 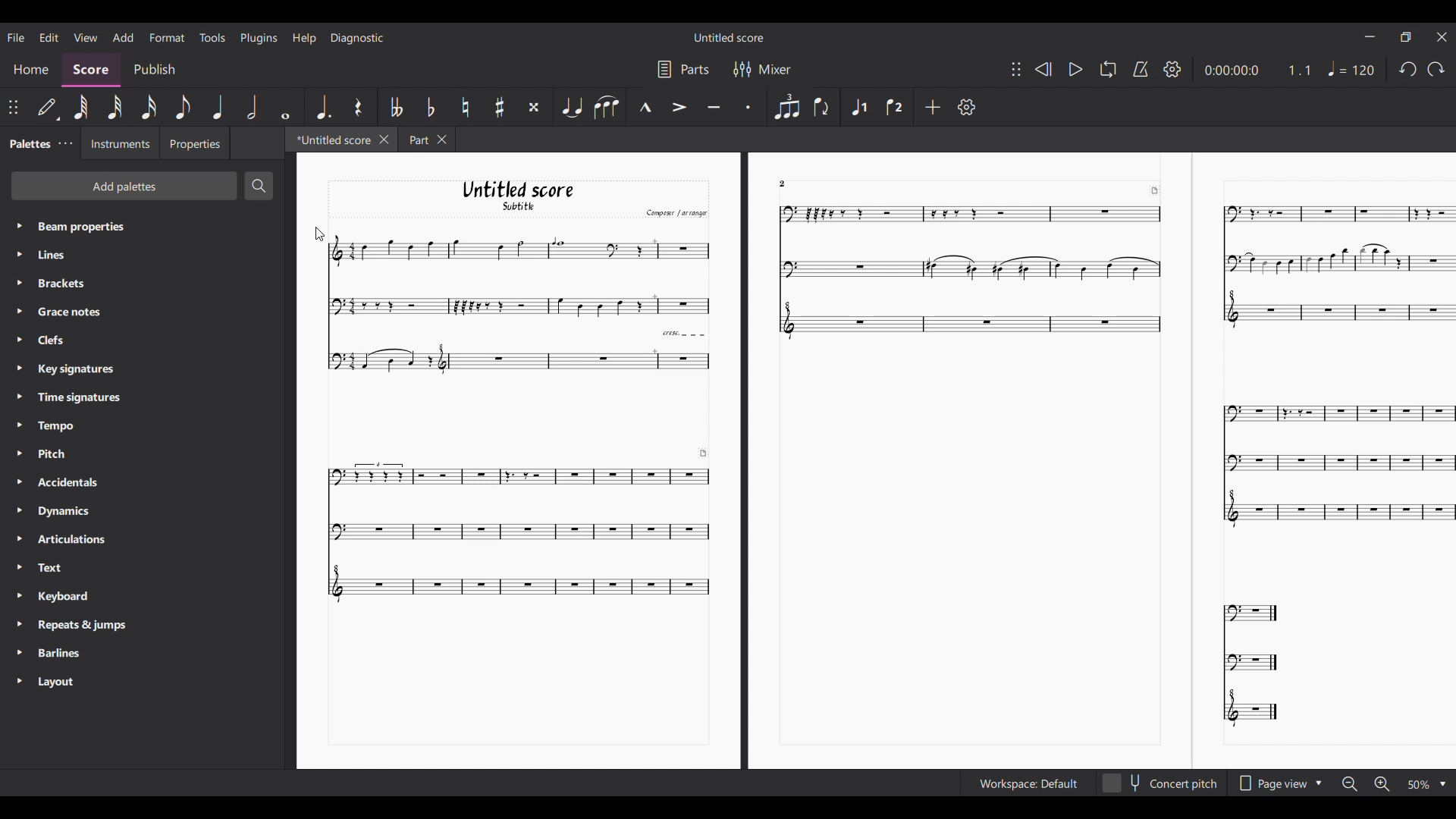 I want to click on Tie, so click(x=571, y=107).